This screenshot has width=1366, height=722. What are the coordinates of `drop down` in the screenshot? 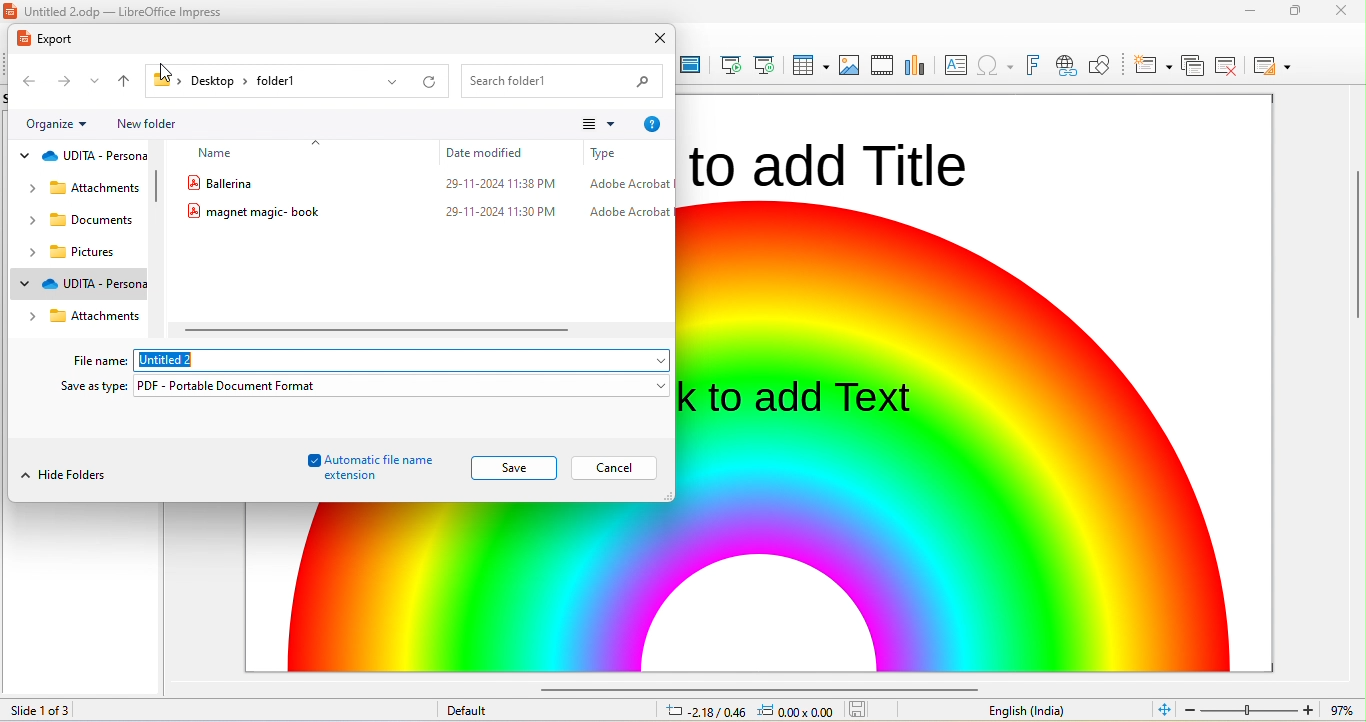 It's located at (26, 219).